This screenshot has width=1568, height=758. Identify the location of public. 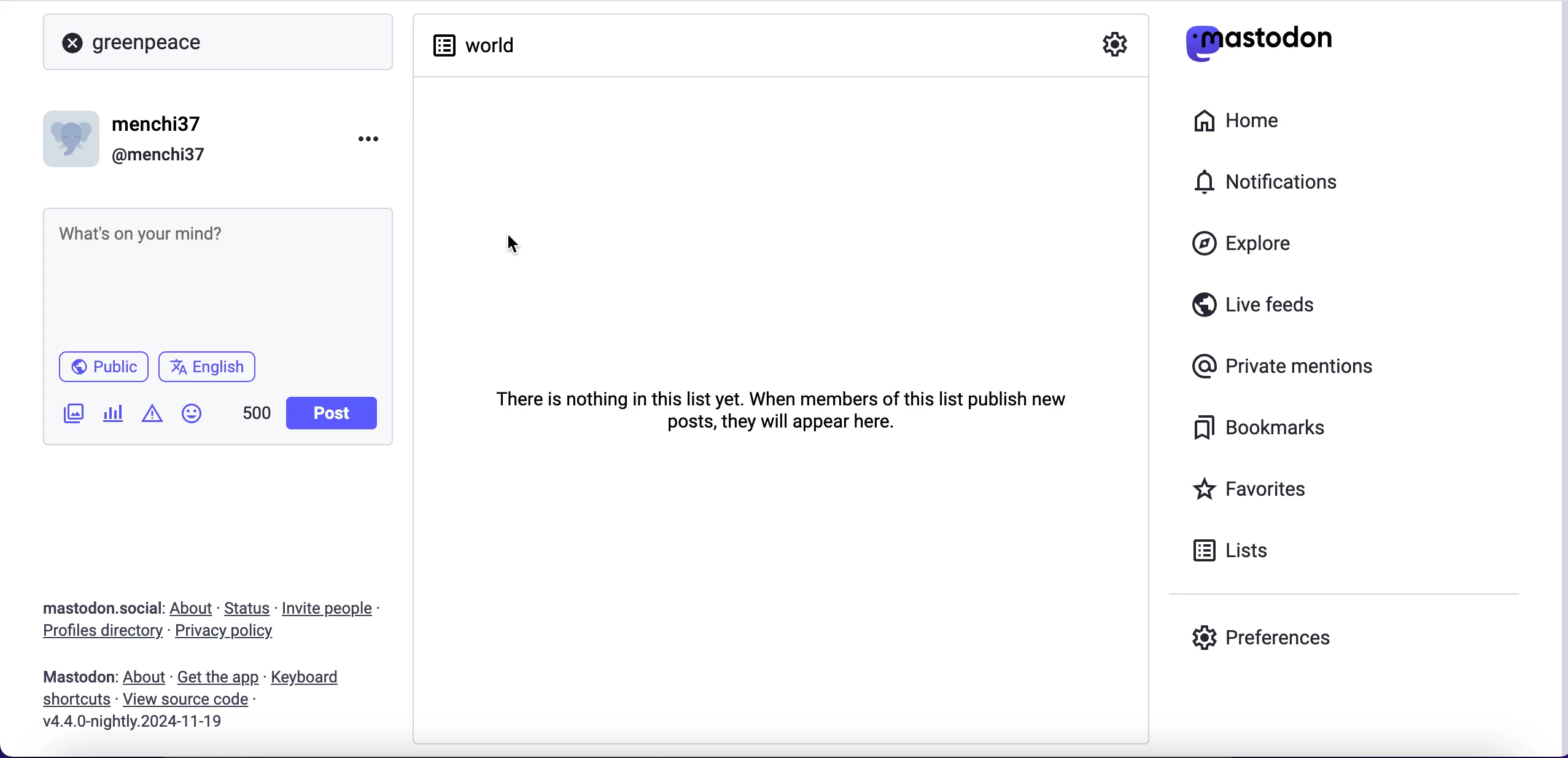
(102, 370).